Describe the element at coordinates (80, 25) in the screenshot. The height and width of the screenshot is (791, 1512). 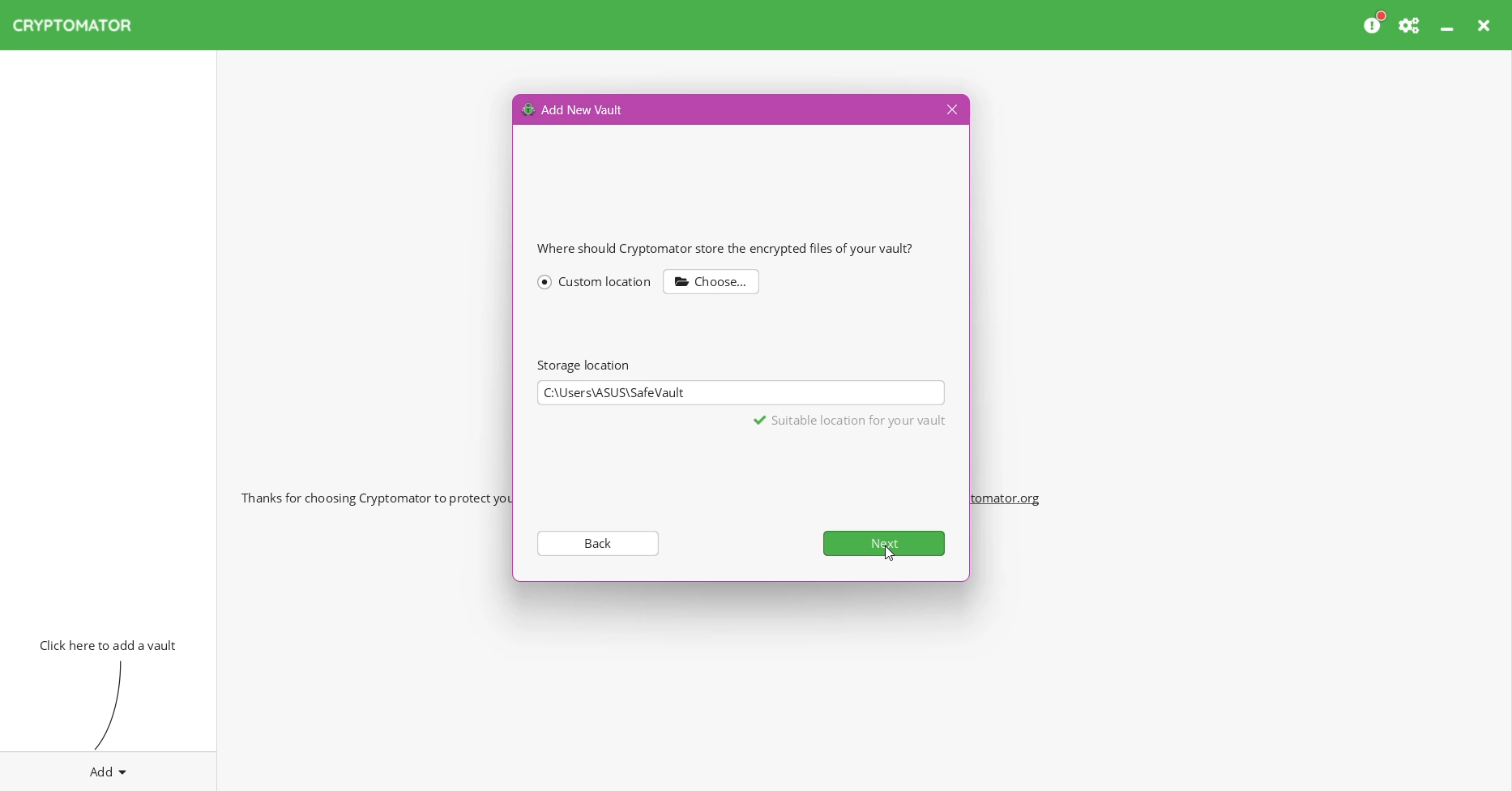
I see `CRYPTOMATOR Application Name` at that location.